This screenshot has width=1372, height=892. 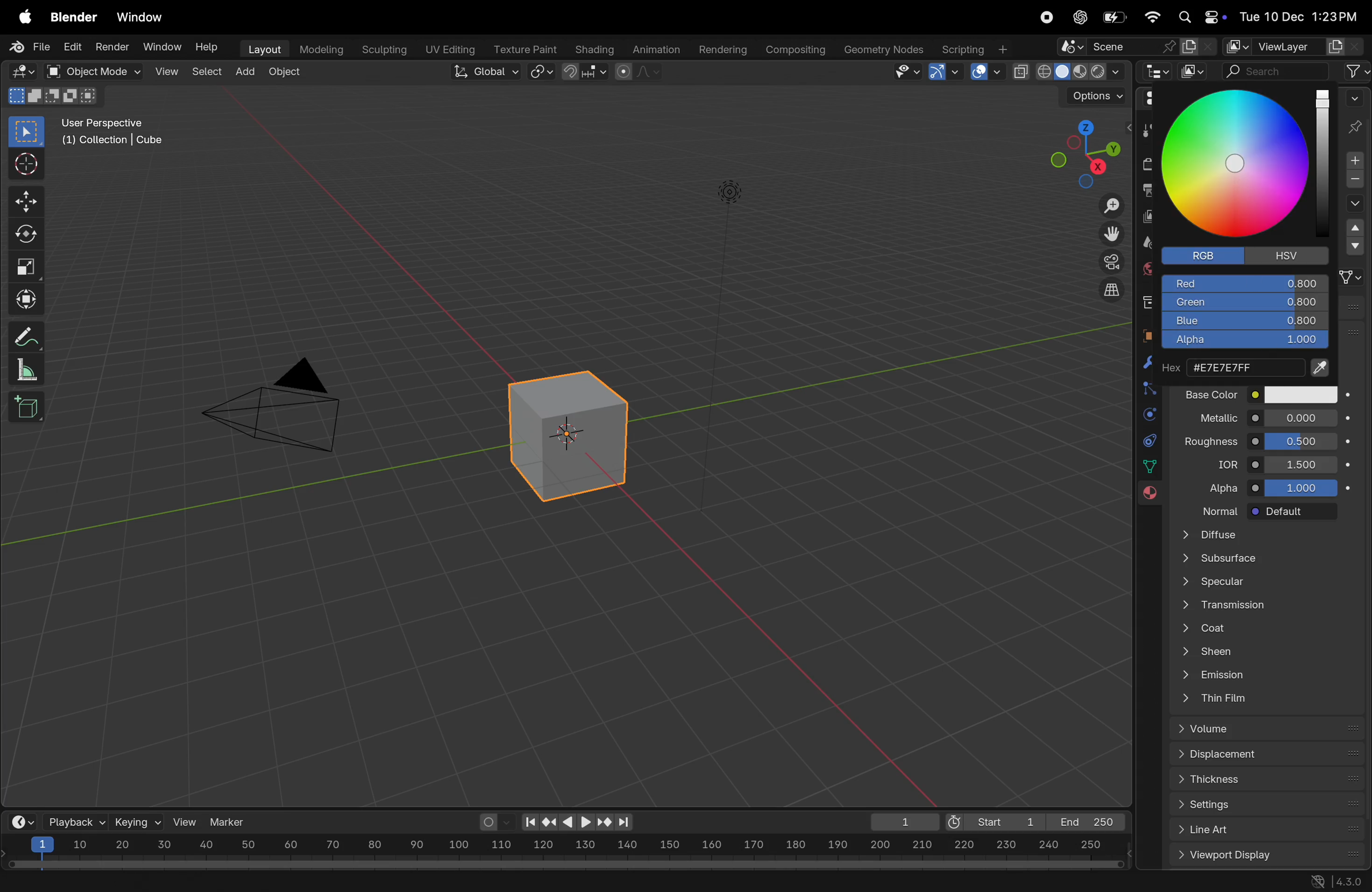 What do you see at coordinates (1222, 464) in the screenshot?
I see `idr` at bounding box center [1222, 464].